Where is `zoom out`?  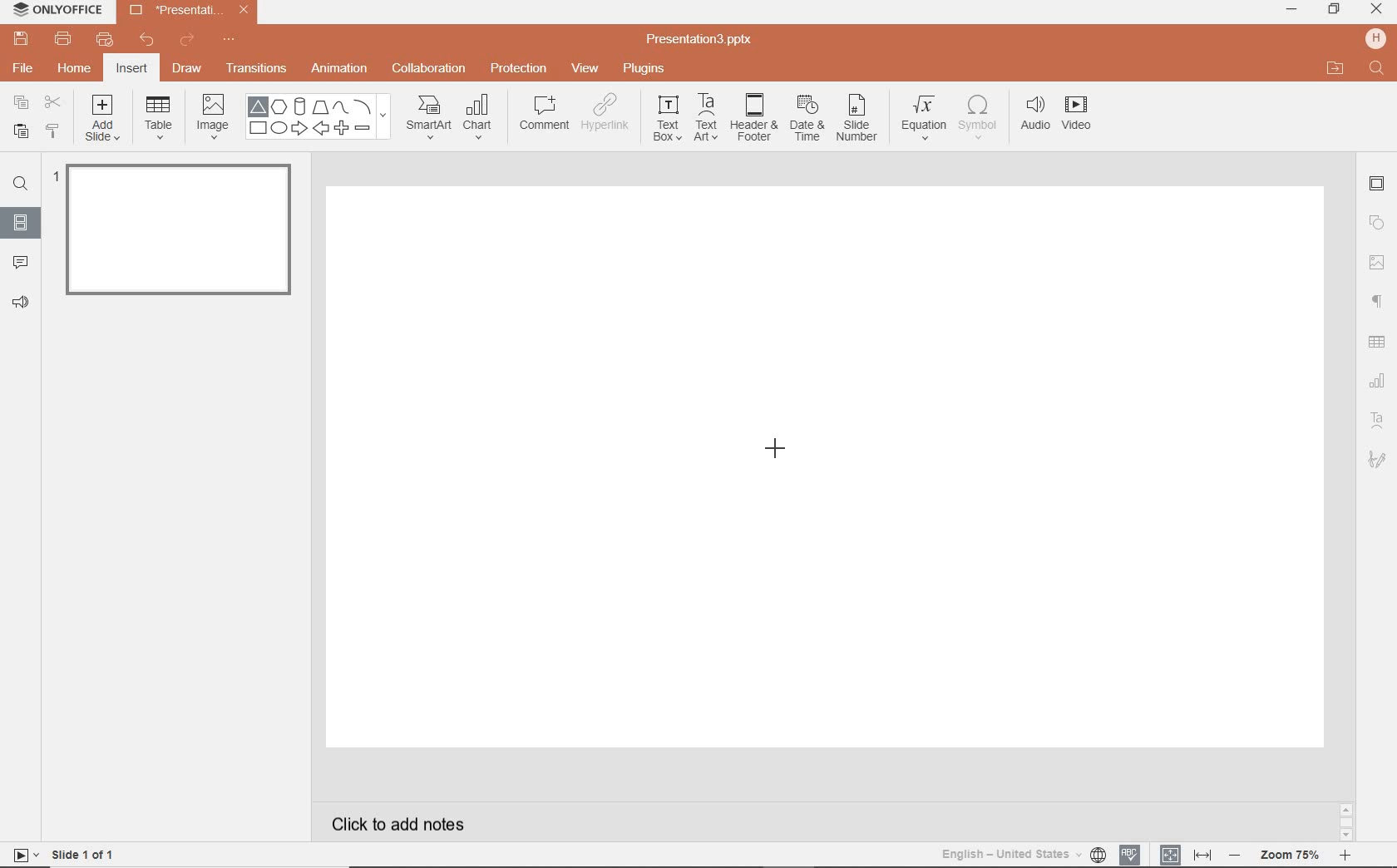 zoom out is located at coordinates (1237, 856).